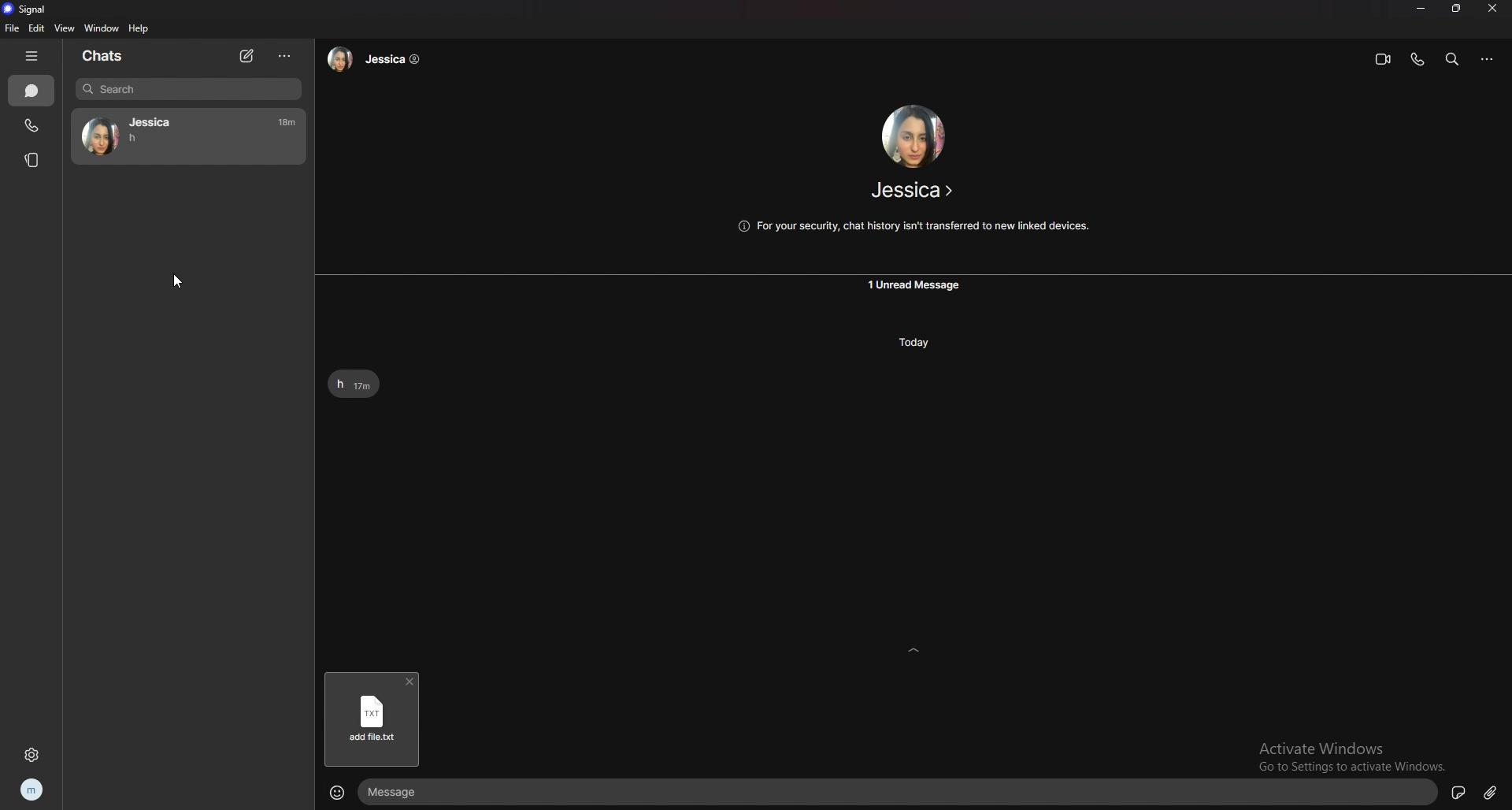 This screenshot has height=810, width=1512. Describe the element at coordinates (1489, 9) in the screenshot. I see `close` at that location.